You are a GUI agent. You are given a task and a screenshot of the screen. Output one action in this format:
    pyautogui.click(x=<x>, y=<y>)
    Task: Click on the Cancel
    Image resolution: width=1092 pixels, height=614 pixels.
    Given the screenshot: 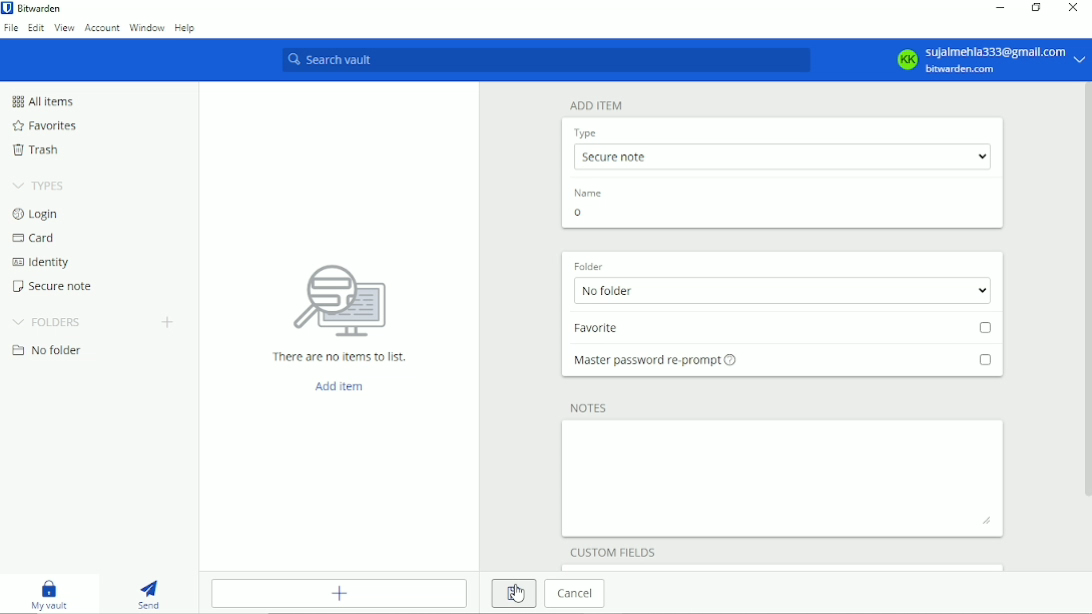 What is the action you would take?
    pyautogui.click(x=578, y=594)
    